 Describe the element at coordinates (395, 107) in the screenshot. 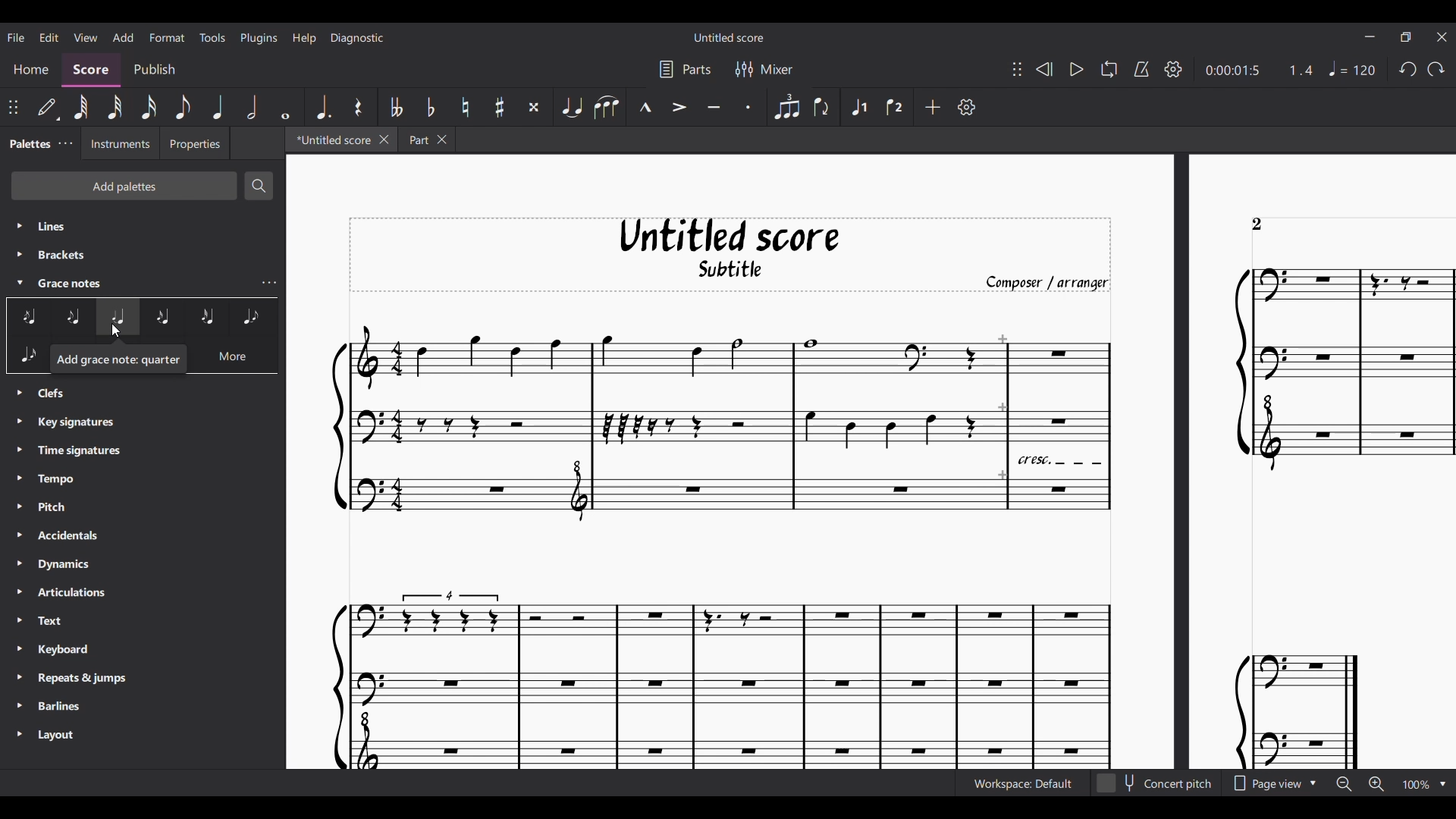

I see `Toggle double flat` at that location.